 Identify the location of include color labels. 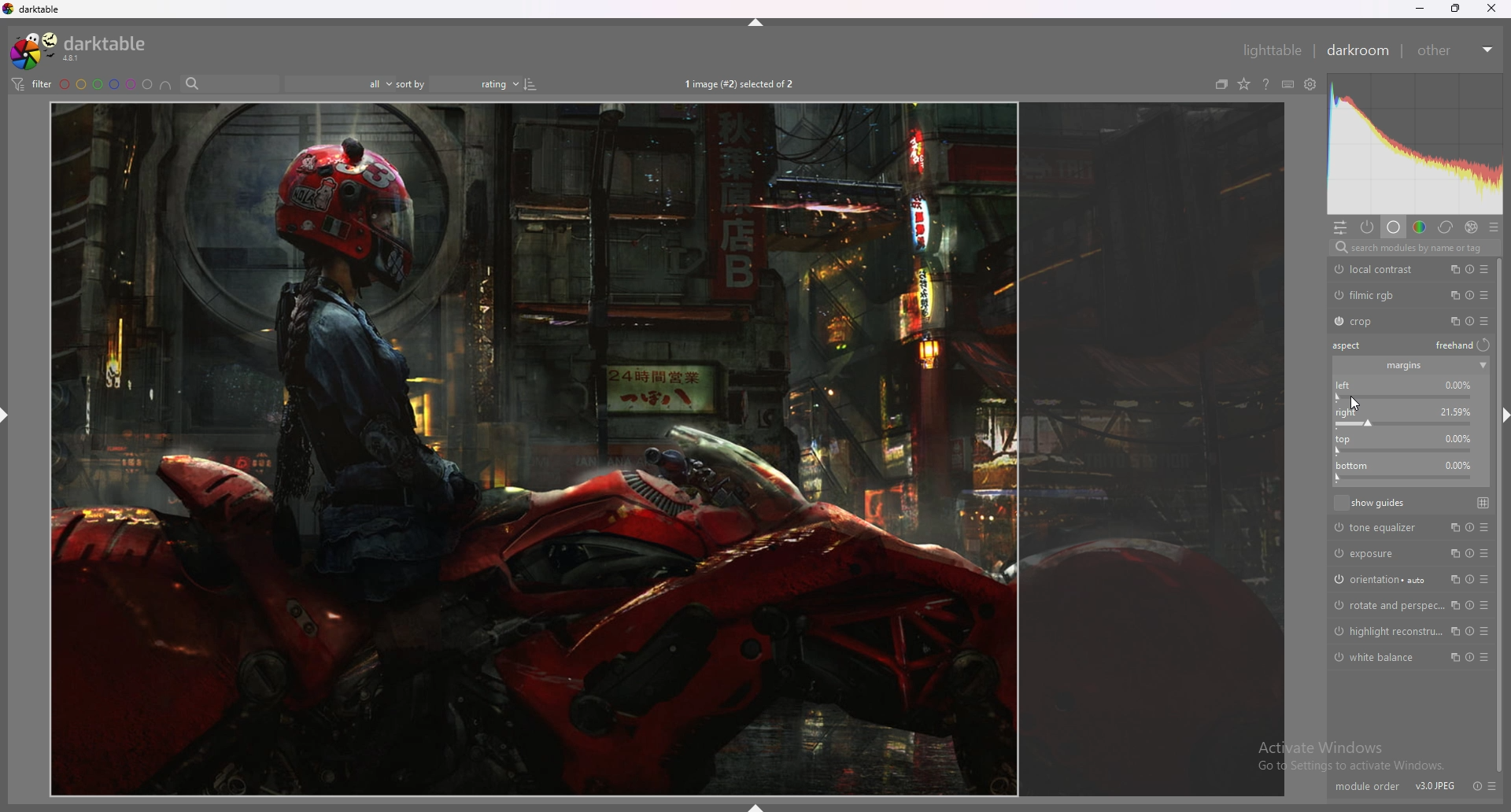
(166, 84).